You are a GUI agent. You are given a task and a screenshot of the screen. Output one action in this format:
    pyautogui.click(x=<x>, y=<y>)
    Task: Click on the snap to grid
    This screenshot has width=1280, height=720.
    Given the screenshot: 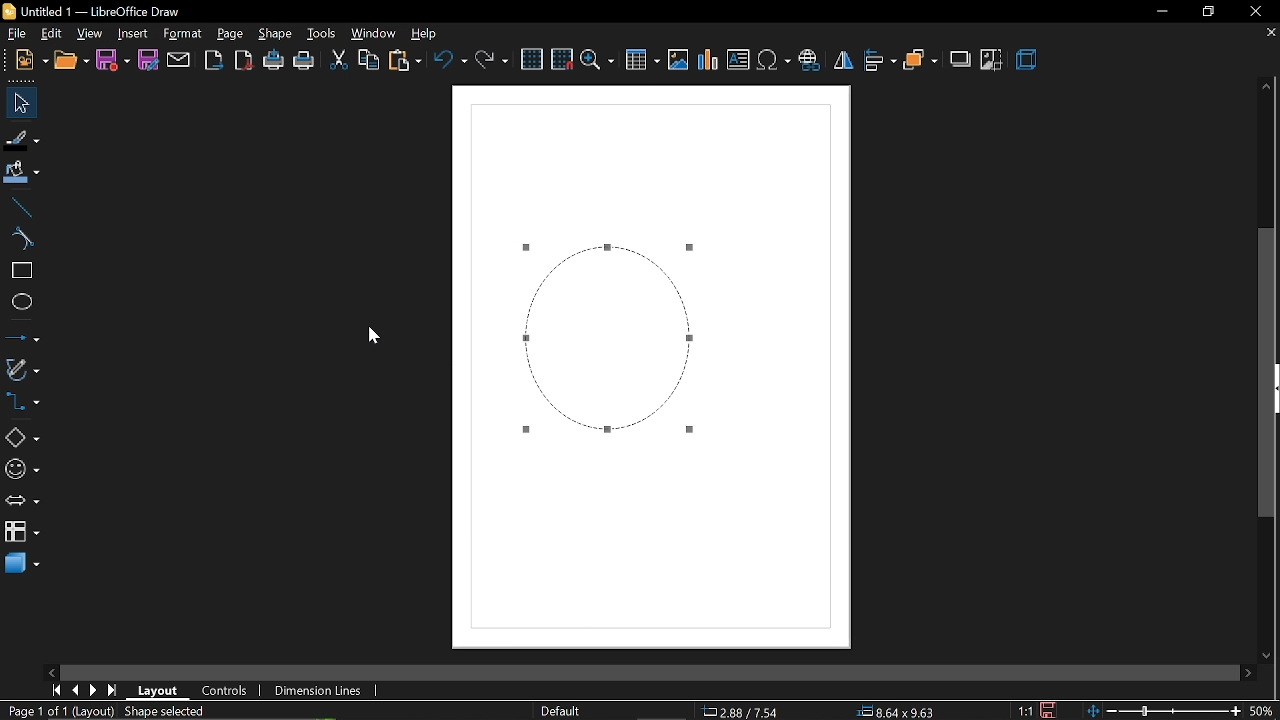 What is the action you would take?
    pyautogui.click(x=562, y=59)
    